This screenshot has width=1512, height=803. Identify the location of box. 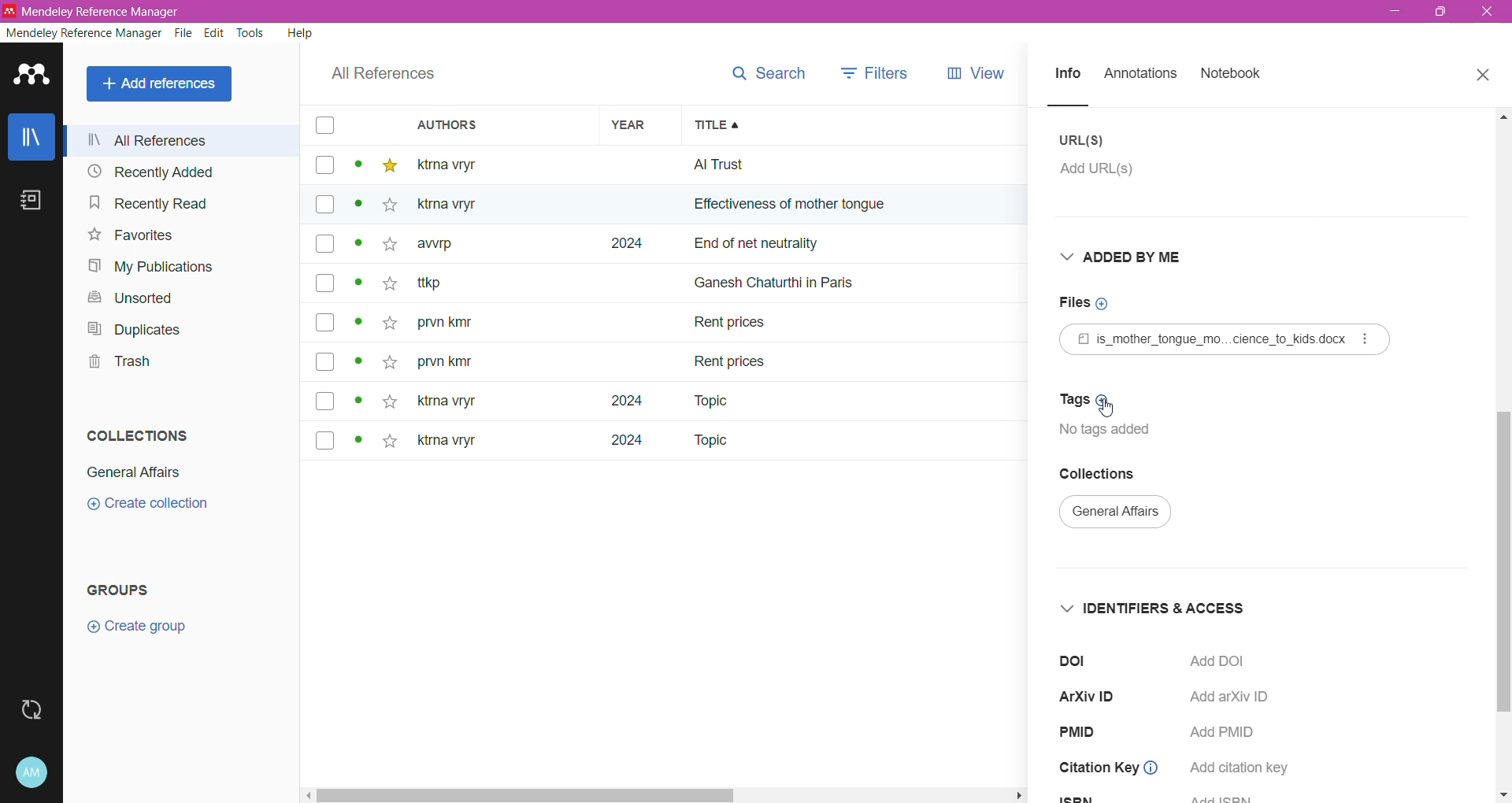
(330, 401).